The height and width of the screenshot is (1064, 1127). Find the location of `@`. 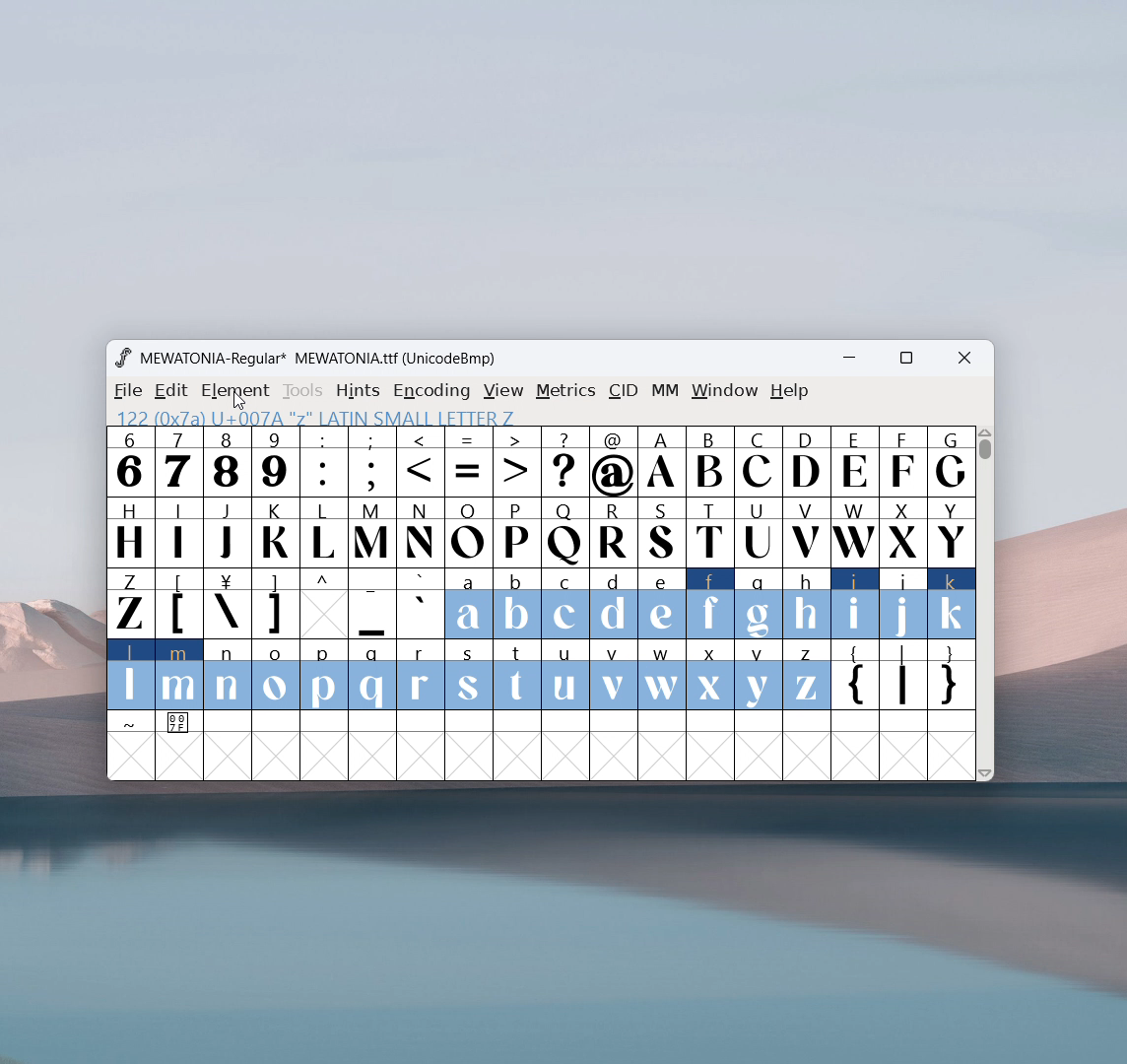

@ is located at coordinates (615, 462).